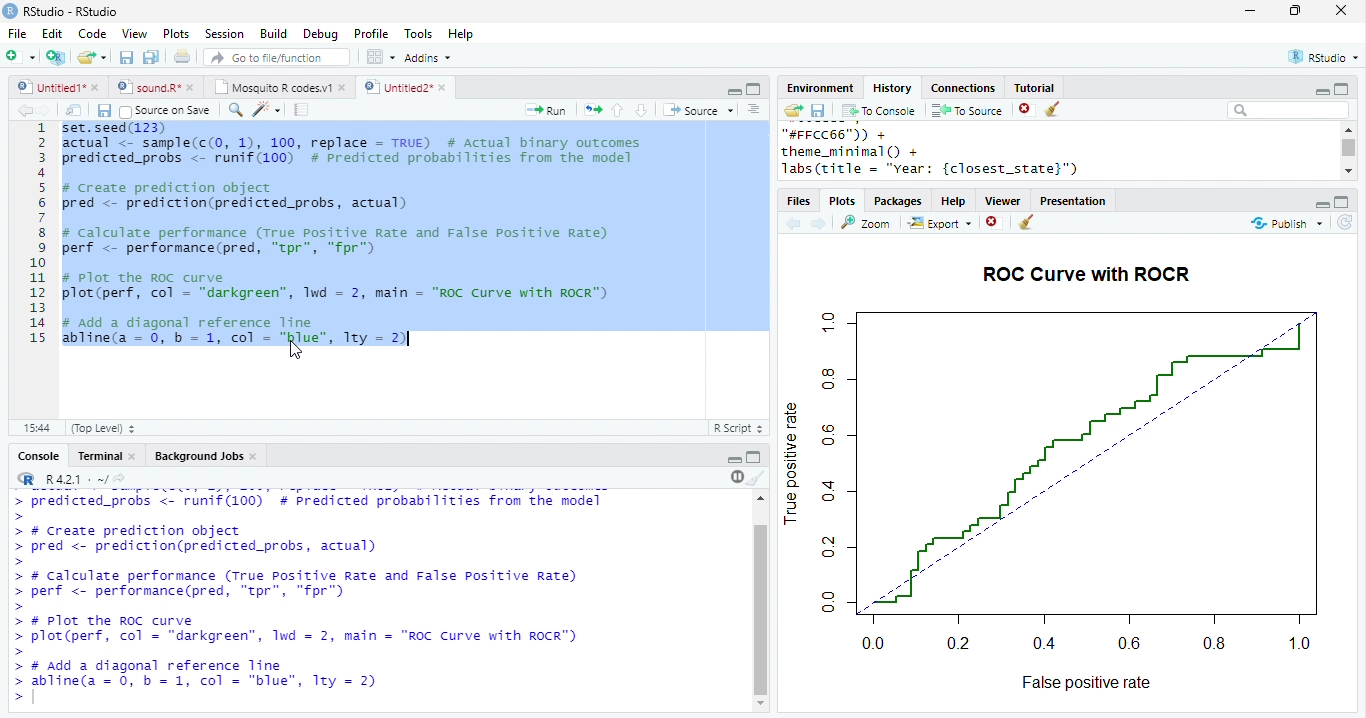  I want to click on scroll up, so click(1347, 129).